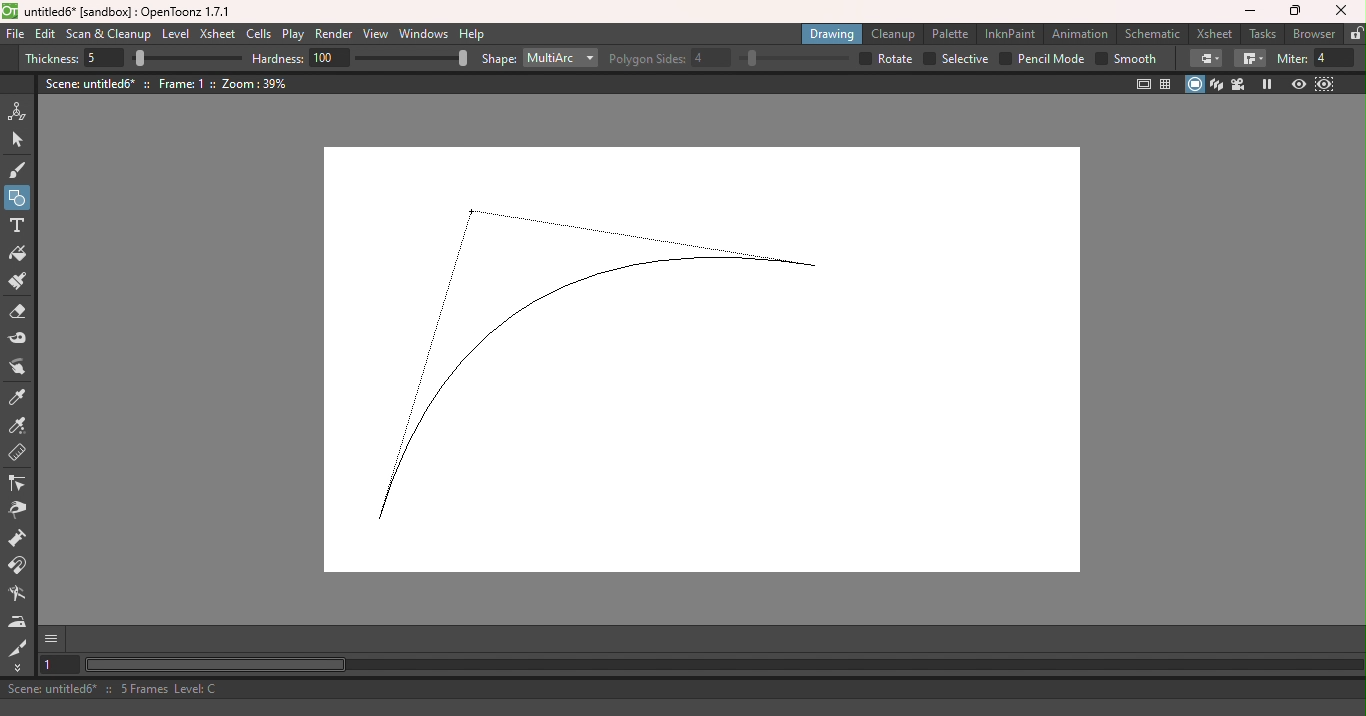 This screenshot has height=716, width=1366. What do you see at coordinates (1249, 59) in the screenshot?
I see `Join` at bounding box center [1249, 59].